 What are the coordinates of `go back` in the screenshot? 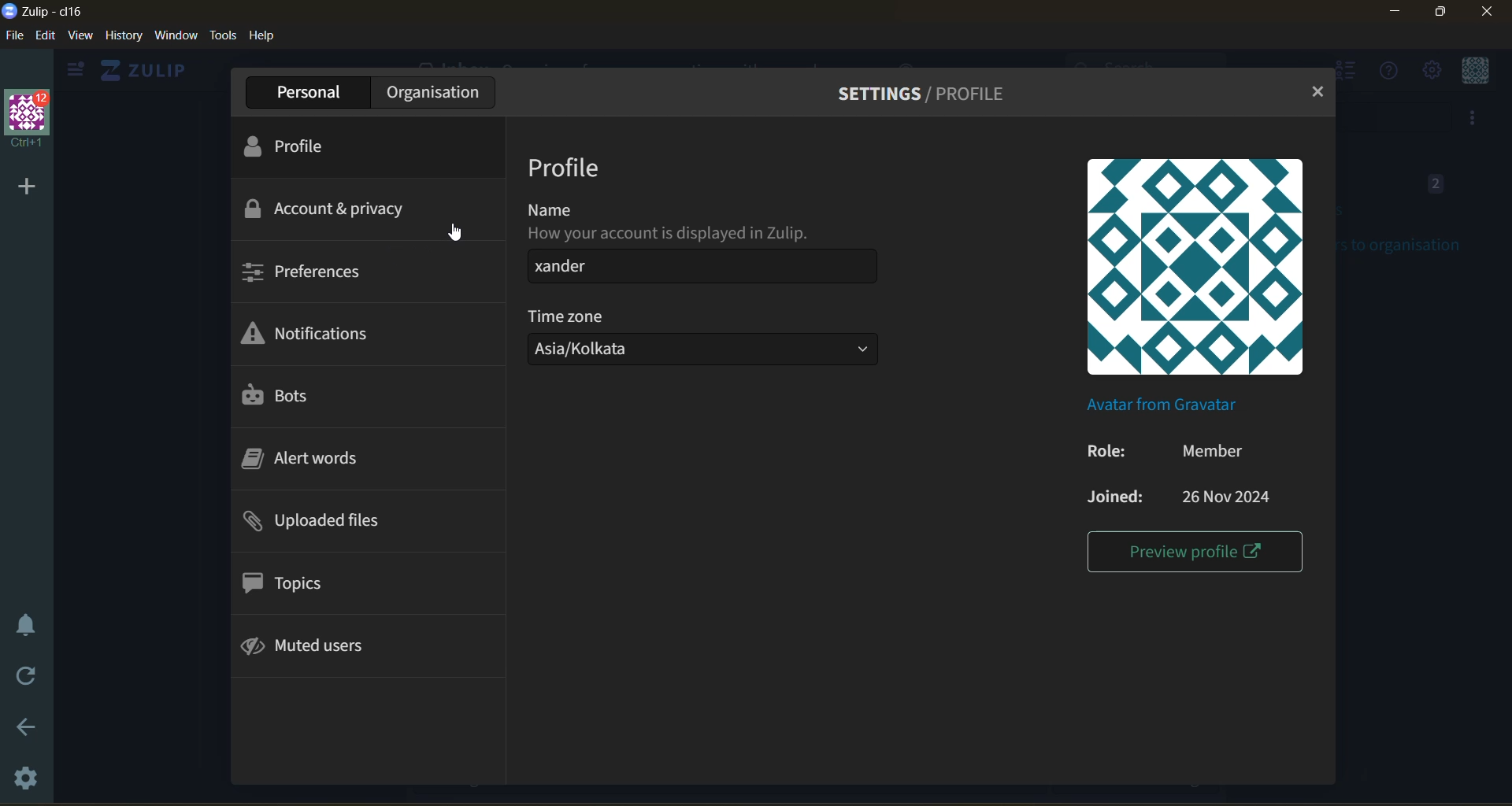 It's located at (28, 733).